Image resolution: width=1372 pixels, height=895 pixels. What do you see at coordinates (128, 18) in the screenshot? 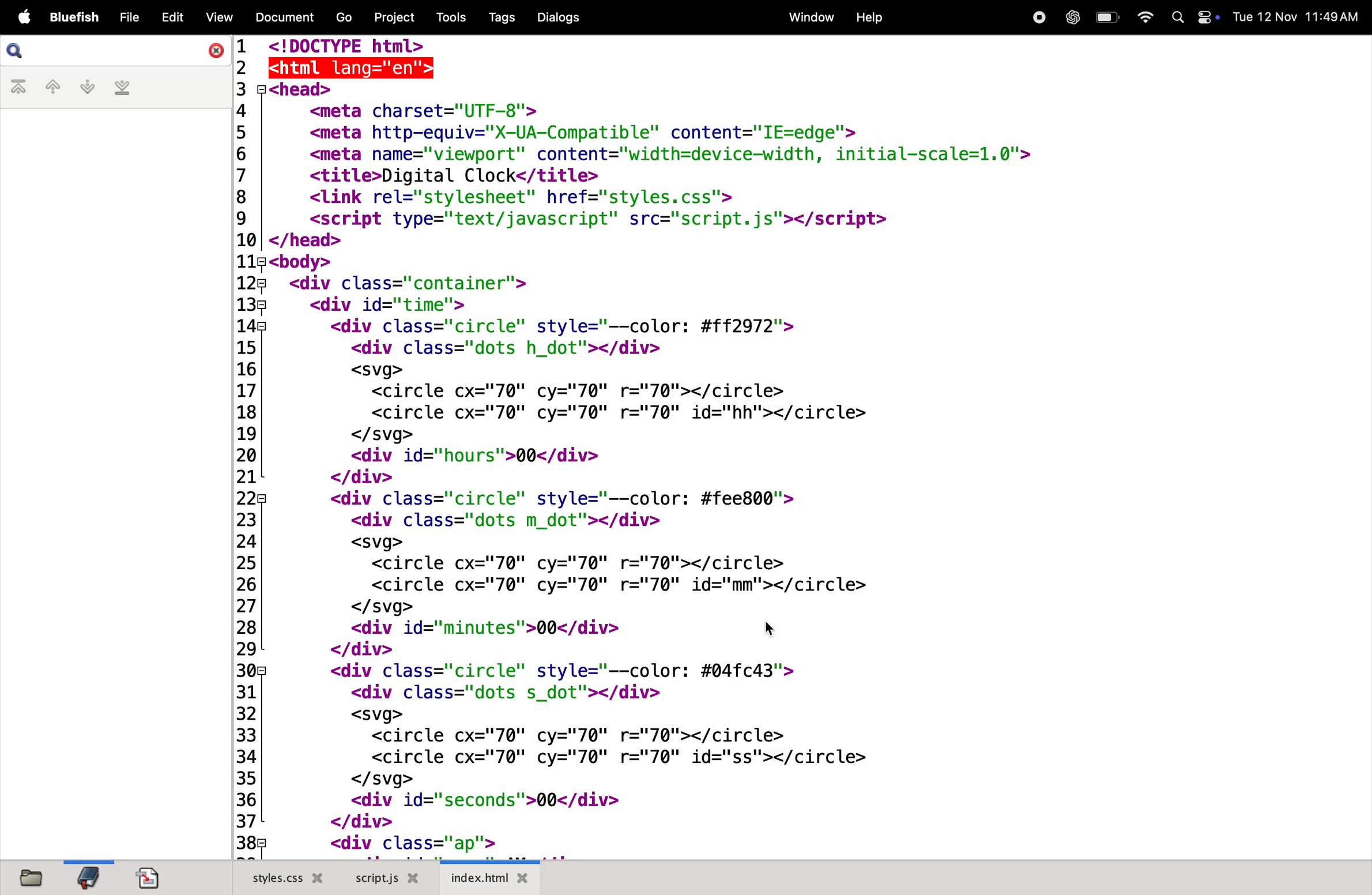
I see `file` at bounding box center [128, 18].